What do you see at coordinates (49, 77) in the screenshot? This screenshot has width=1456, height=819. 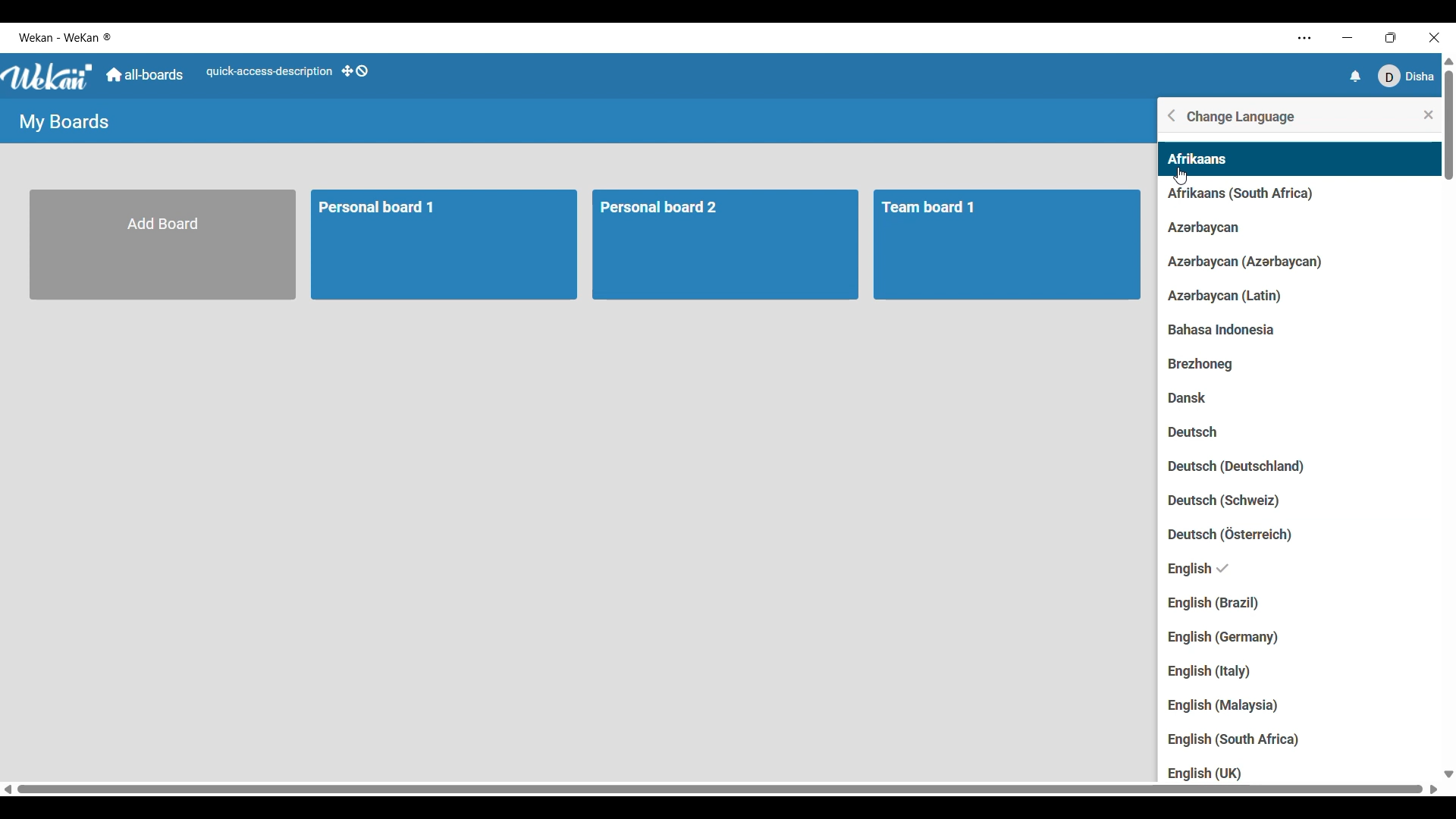 I see `Software logo` at bounding box center [49, 77].